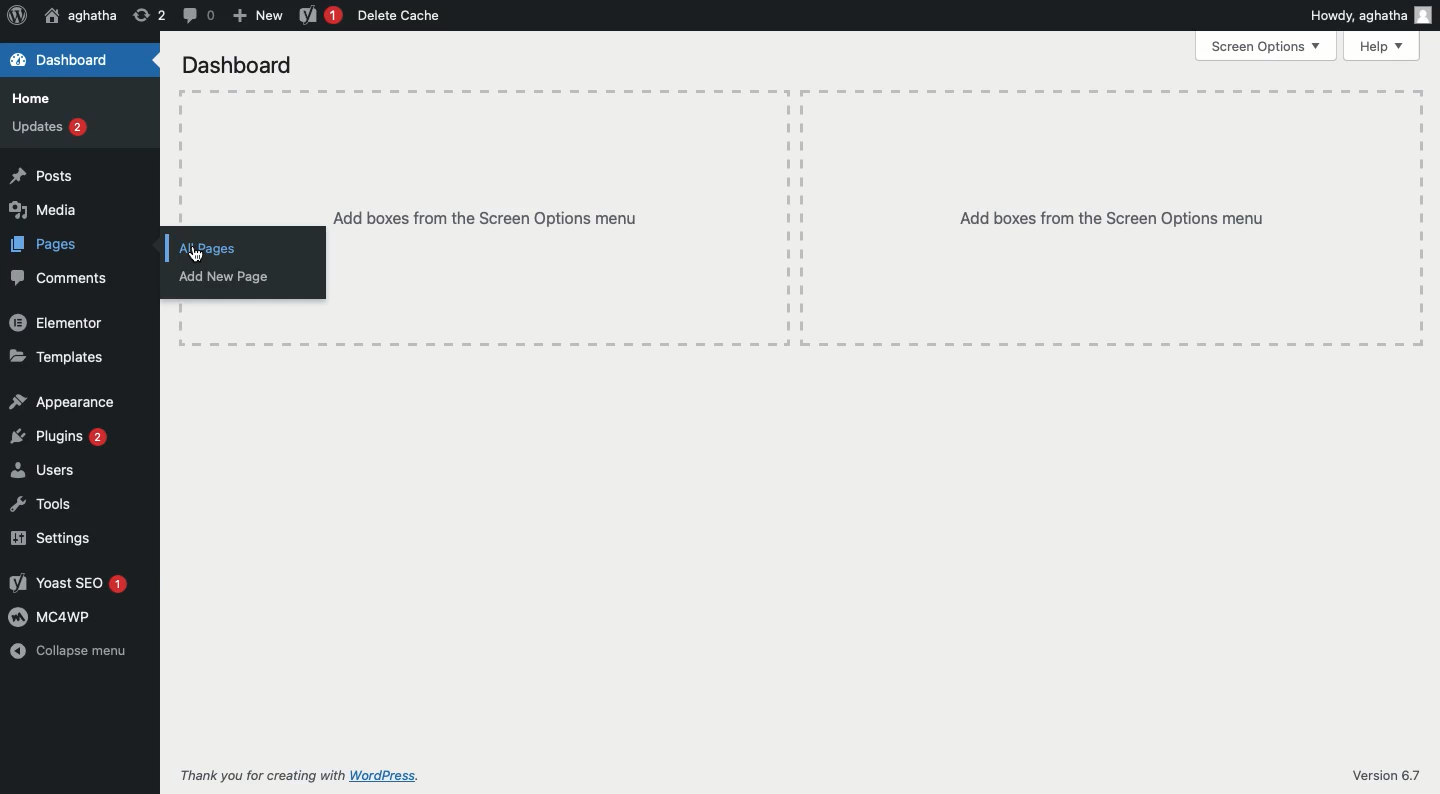 The image size is (1440, 794). I want to click on Revisions, so click(149, 16).